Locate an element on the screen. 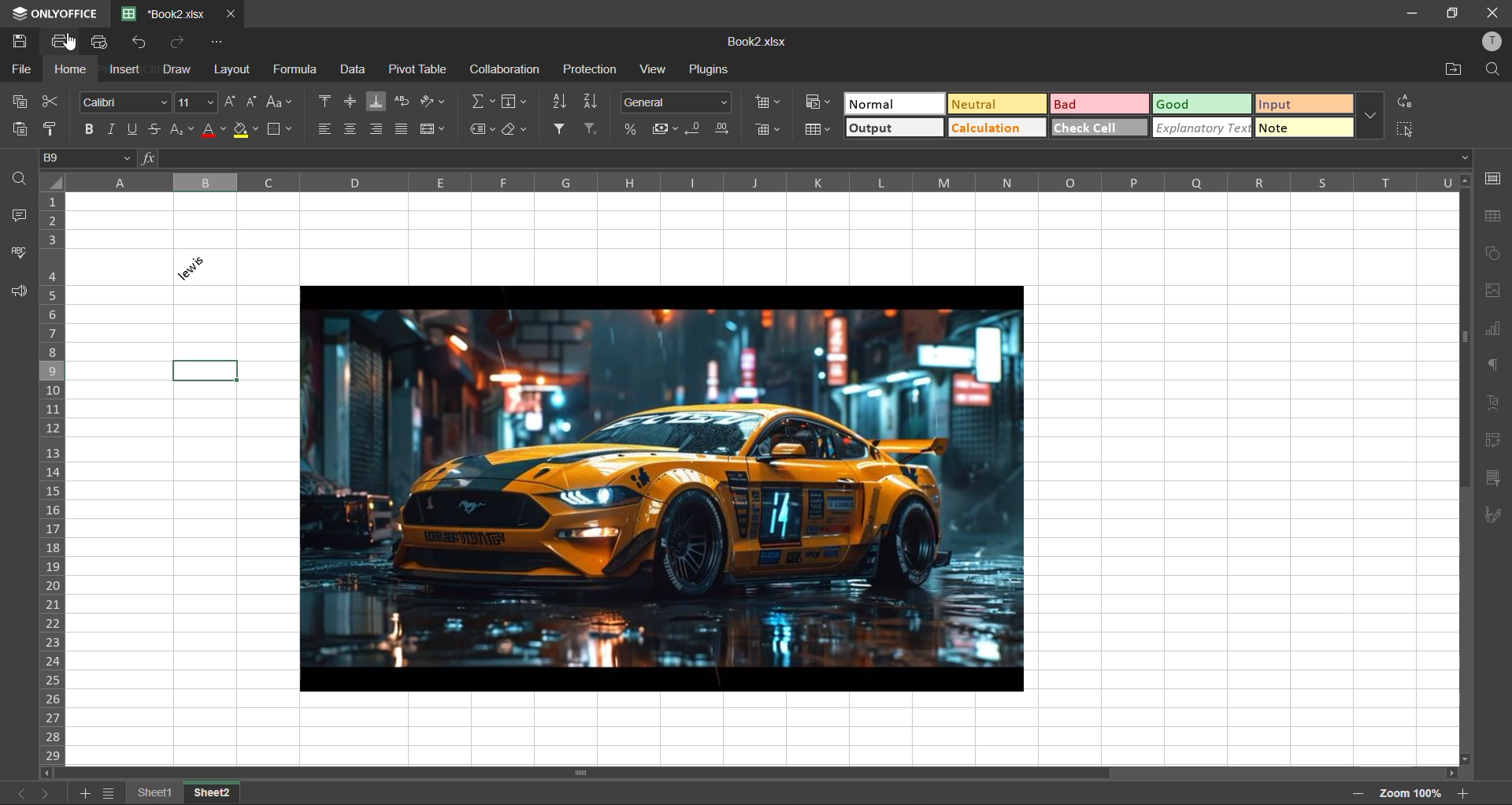 The image size is (1512, 805). file is located at coordinates (20, 70).